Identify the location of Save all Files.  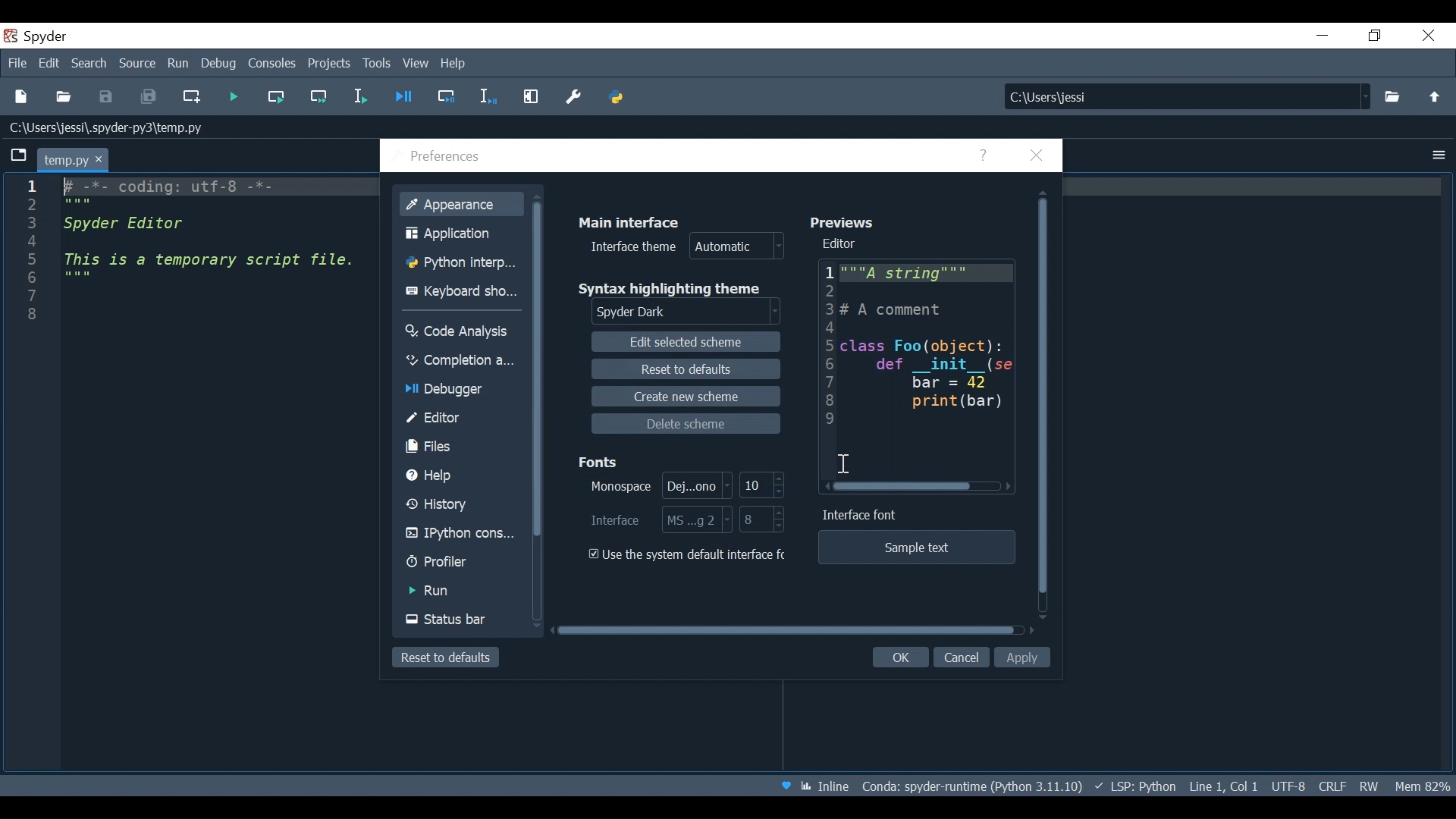
(149, 97).